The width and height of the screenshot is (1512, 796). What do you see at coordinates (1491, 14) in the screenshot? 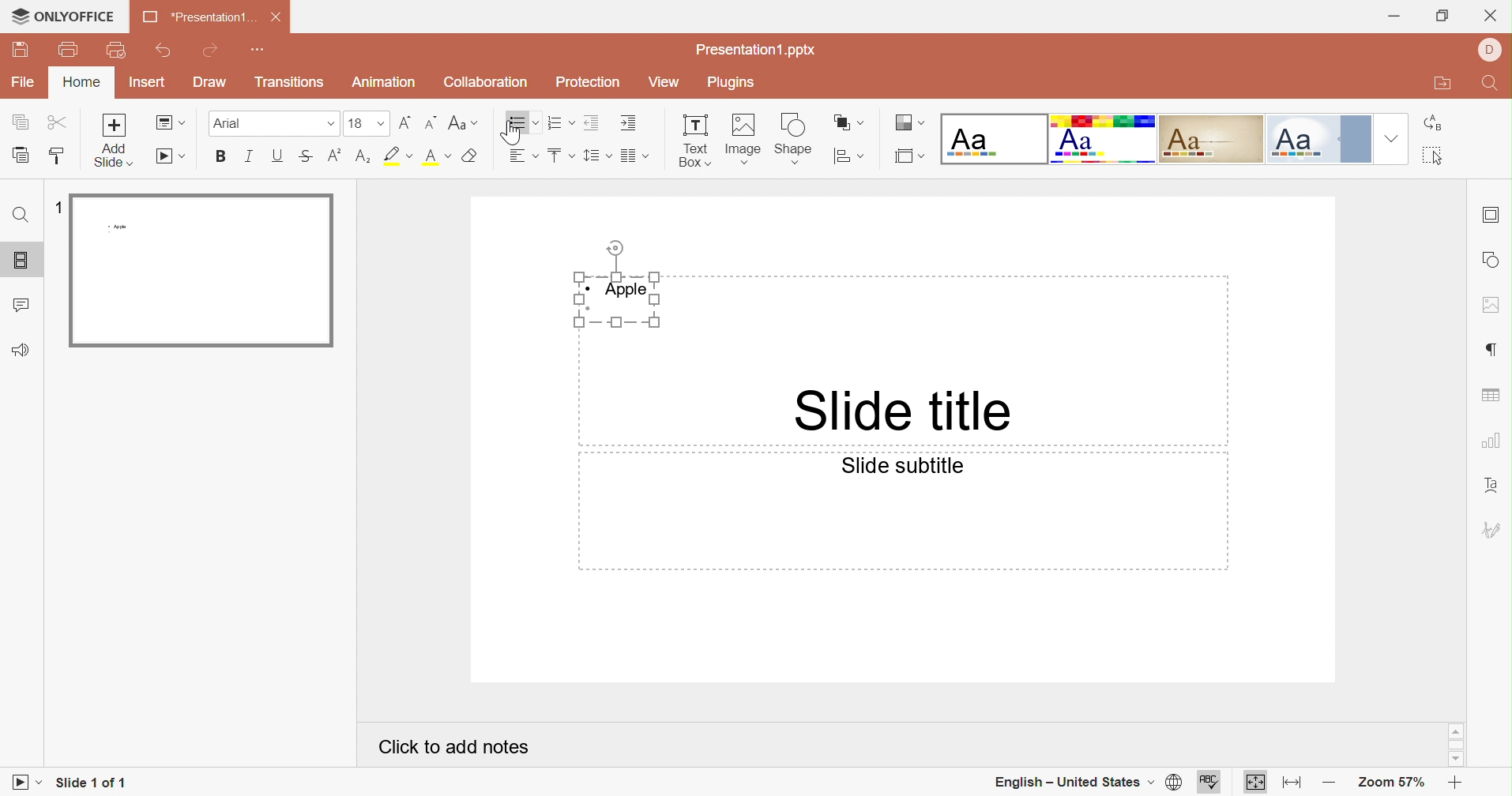
I see `Close` at bounding box center [1491, 14].